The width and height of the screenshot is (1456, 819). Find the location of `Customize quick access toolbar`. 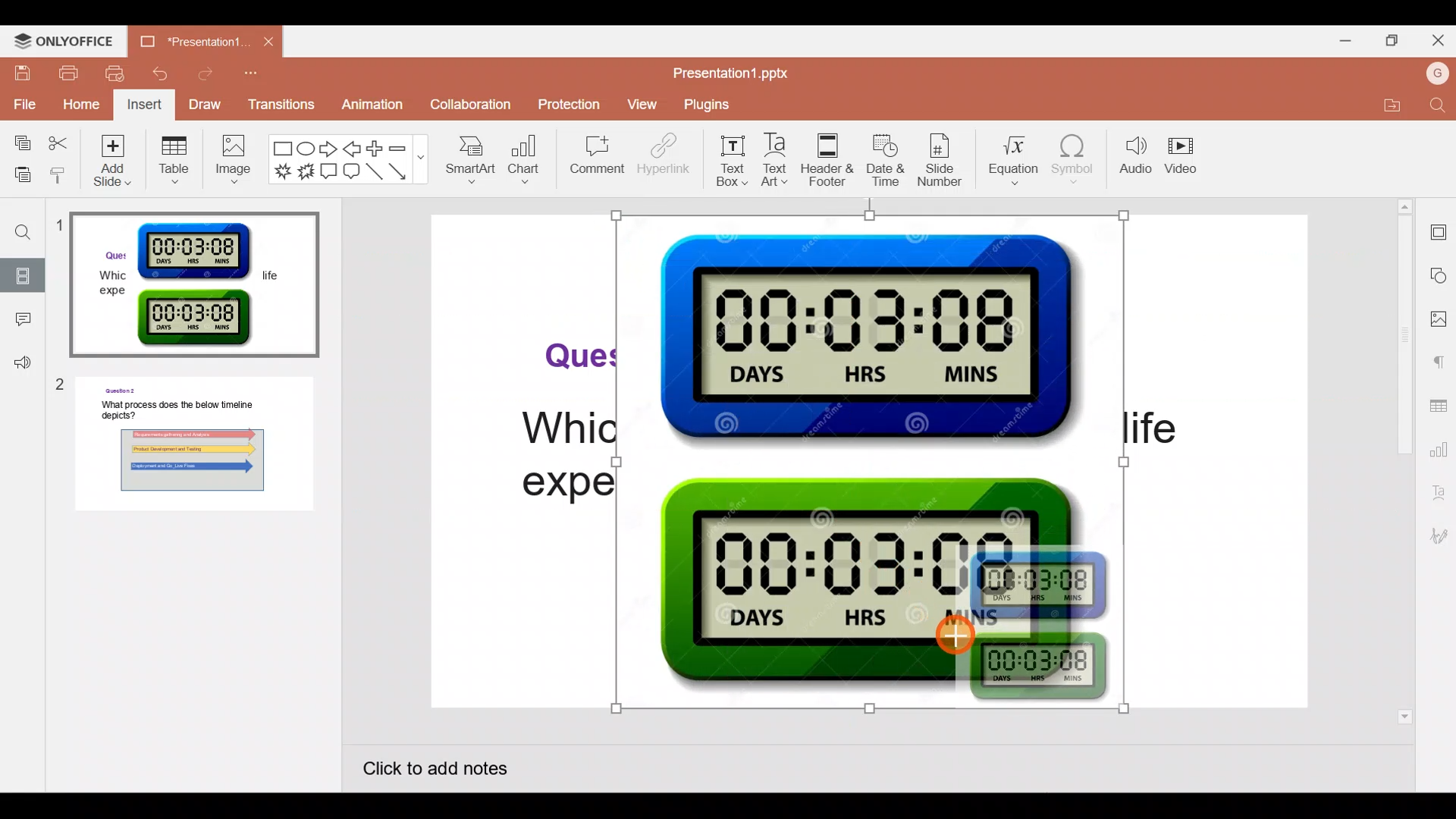

Customize quick access toolbar is located at coordinates (260, 76).